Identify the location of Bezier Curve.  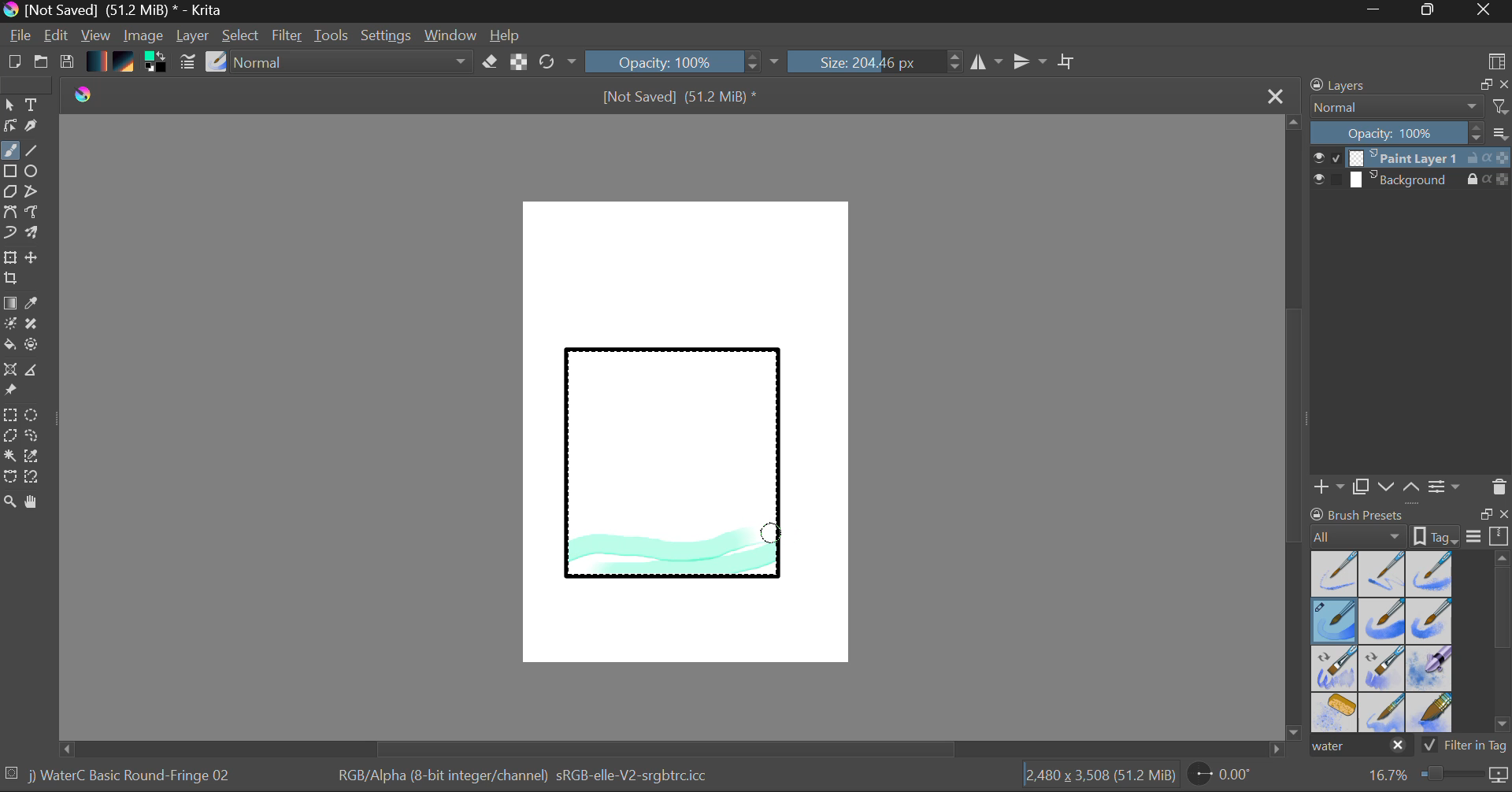
(9, 213).